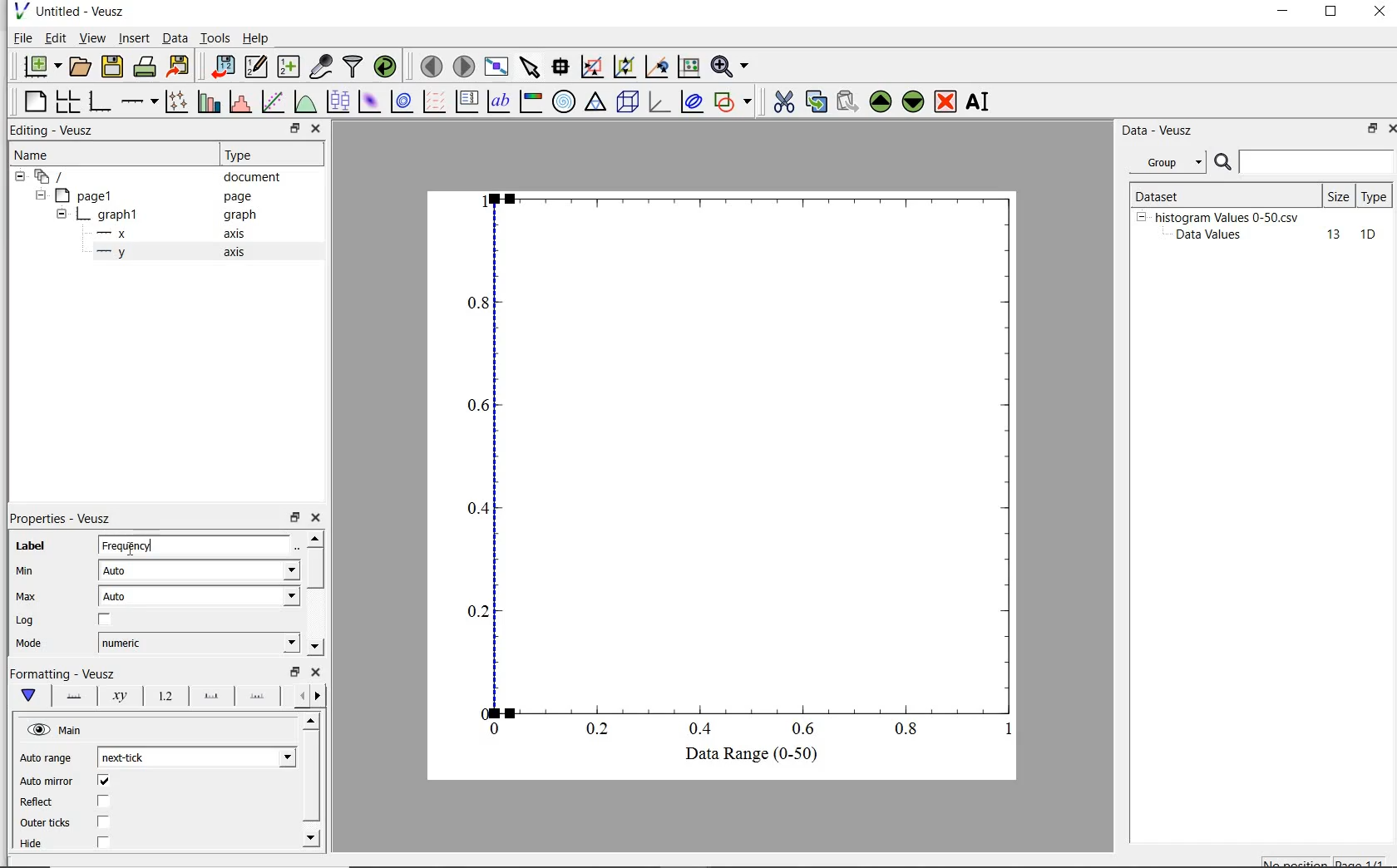  What do you see at coordinates (1166, 162) in the screenshot?
I see `group` at bounding box center [1166, 162].